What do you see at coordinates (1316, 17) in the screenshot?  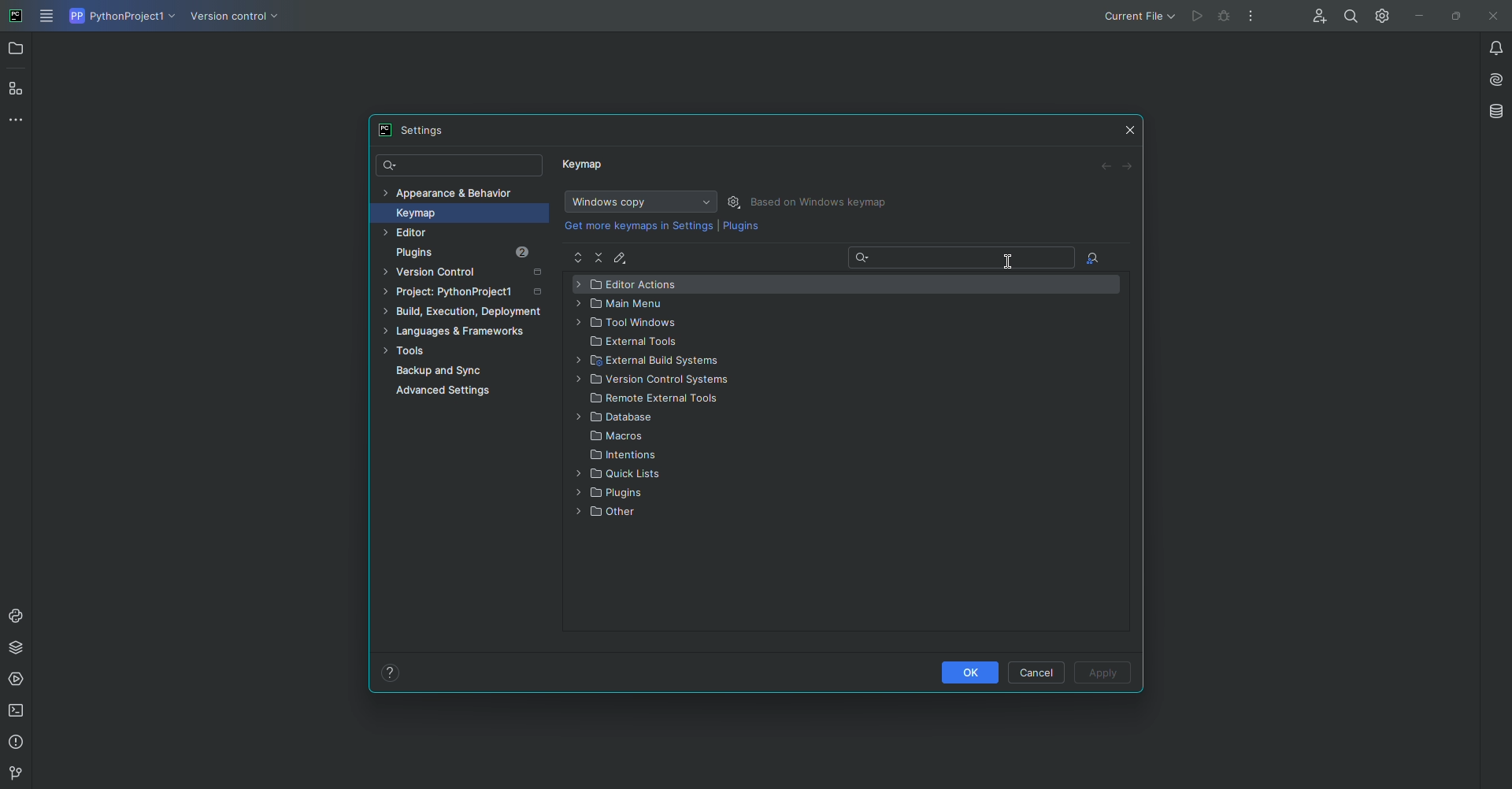 I see `Code with me` at bounding box center [1316, 17].